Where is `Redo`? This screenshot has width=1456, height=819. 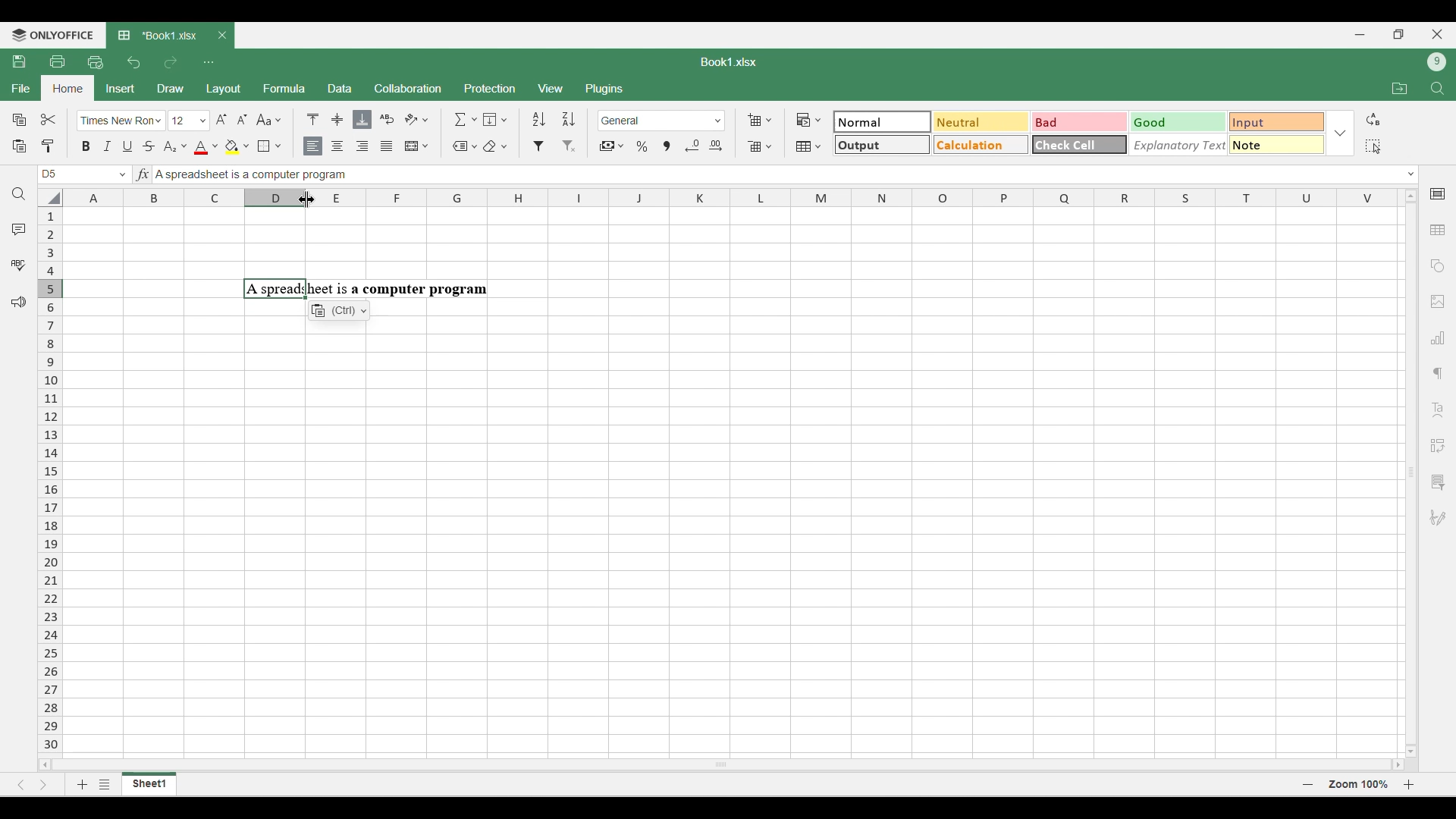
Redo is located at coordinates (170, 62).